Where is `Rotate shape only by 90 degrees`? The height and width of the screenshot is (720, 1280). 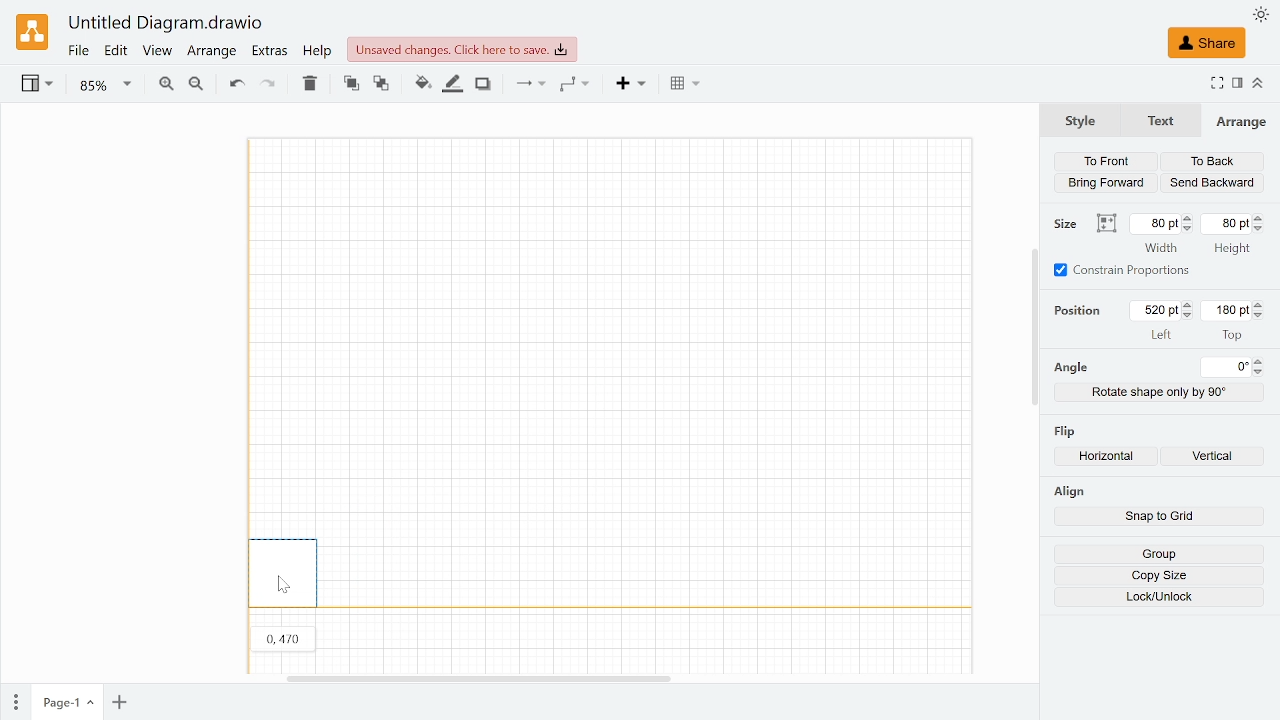
Rotate shape only by 90 degrees is located at coordinates (1160, 392).